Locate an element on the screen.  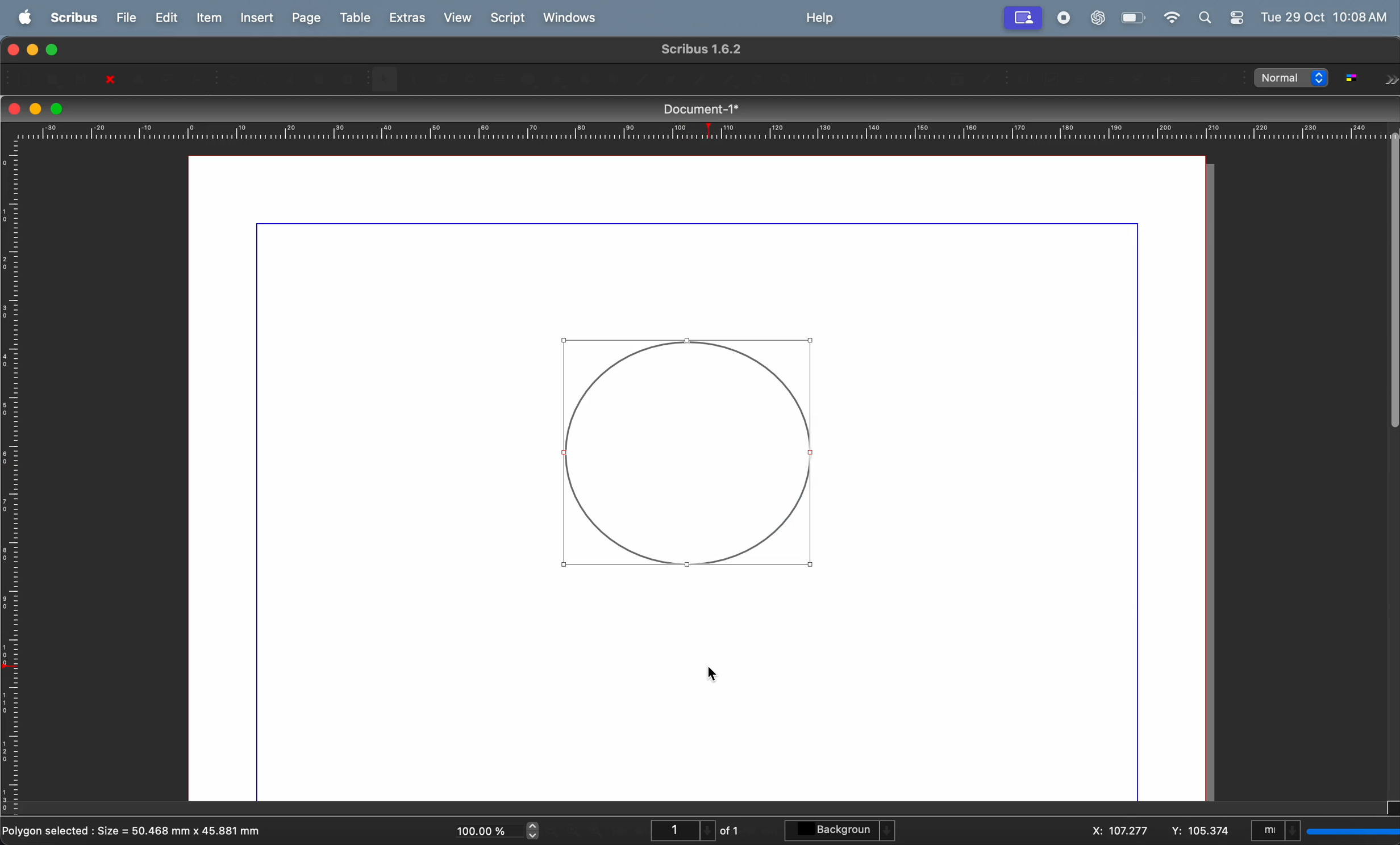
account is located at coordinates (1022, 19).